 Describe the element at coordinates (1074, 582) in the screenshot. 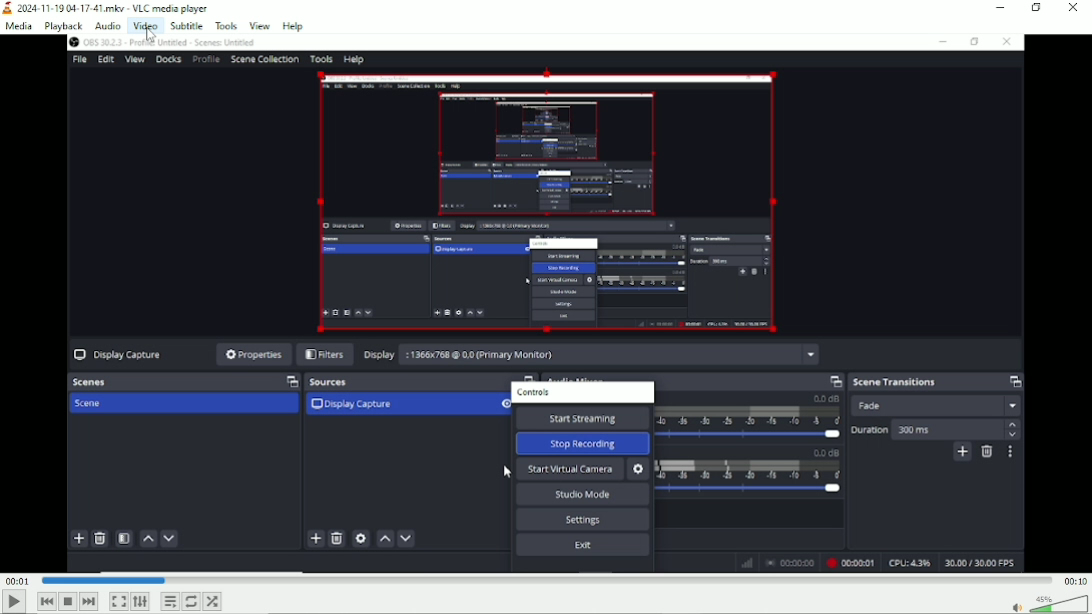

I see `Total duration` at that location.